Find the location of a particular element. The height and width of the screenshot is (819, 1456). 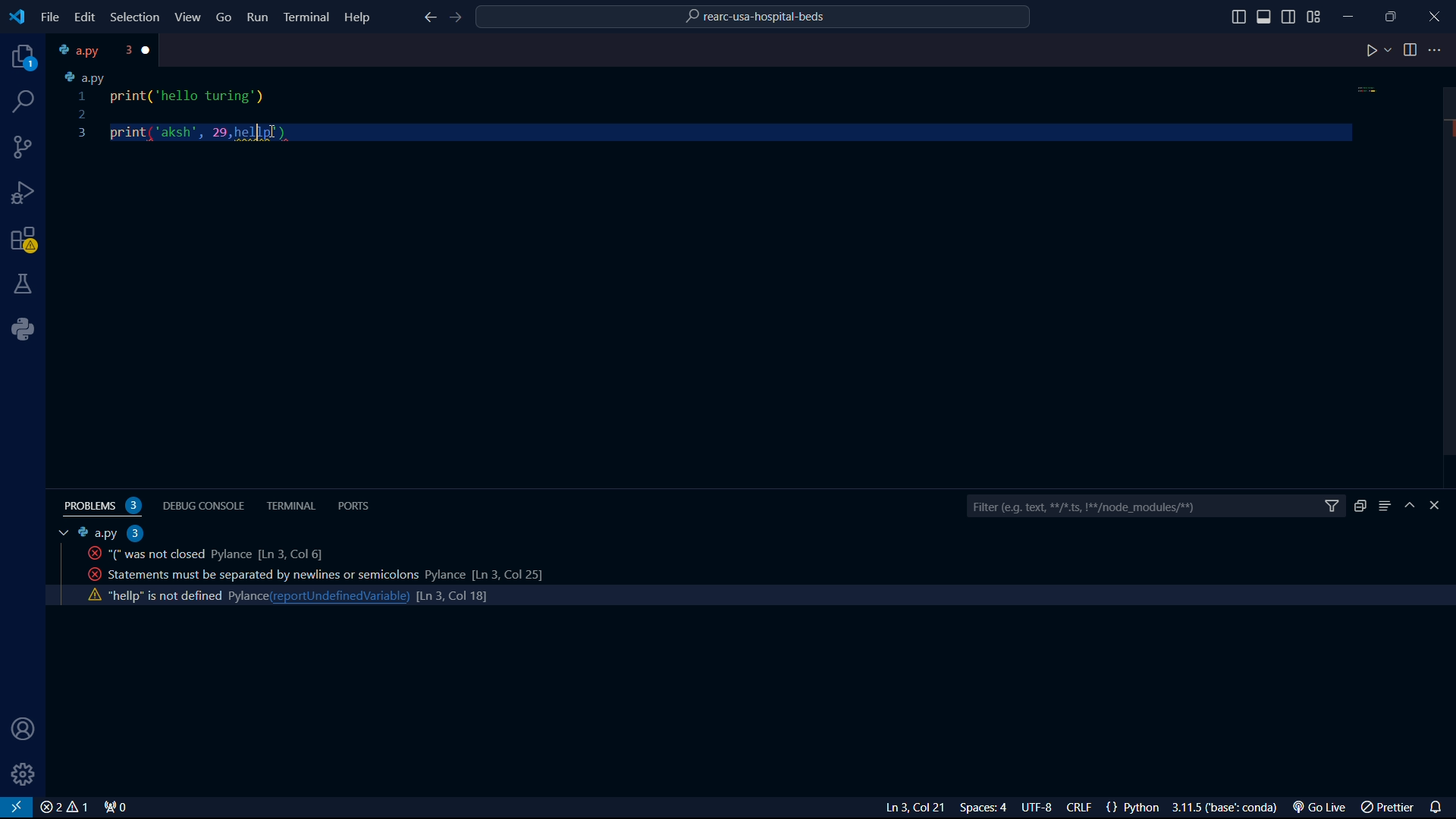

line count is located at coordinates (451, 598).